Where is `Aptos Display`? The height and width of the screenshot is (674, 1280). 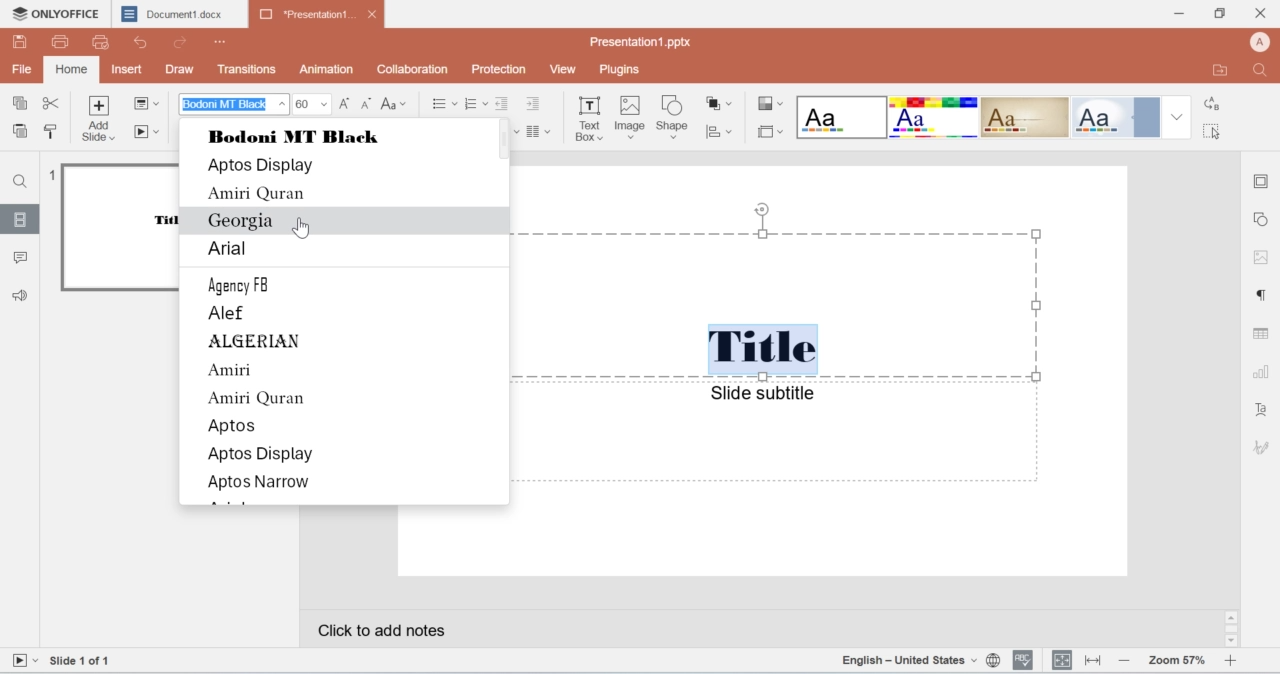
Aptos Display is located at coordinates (261, 456).